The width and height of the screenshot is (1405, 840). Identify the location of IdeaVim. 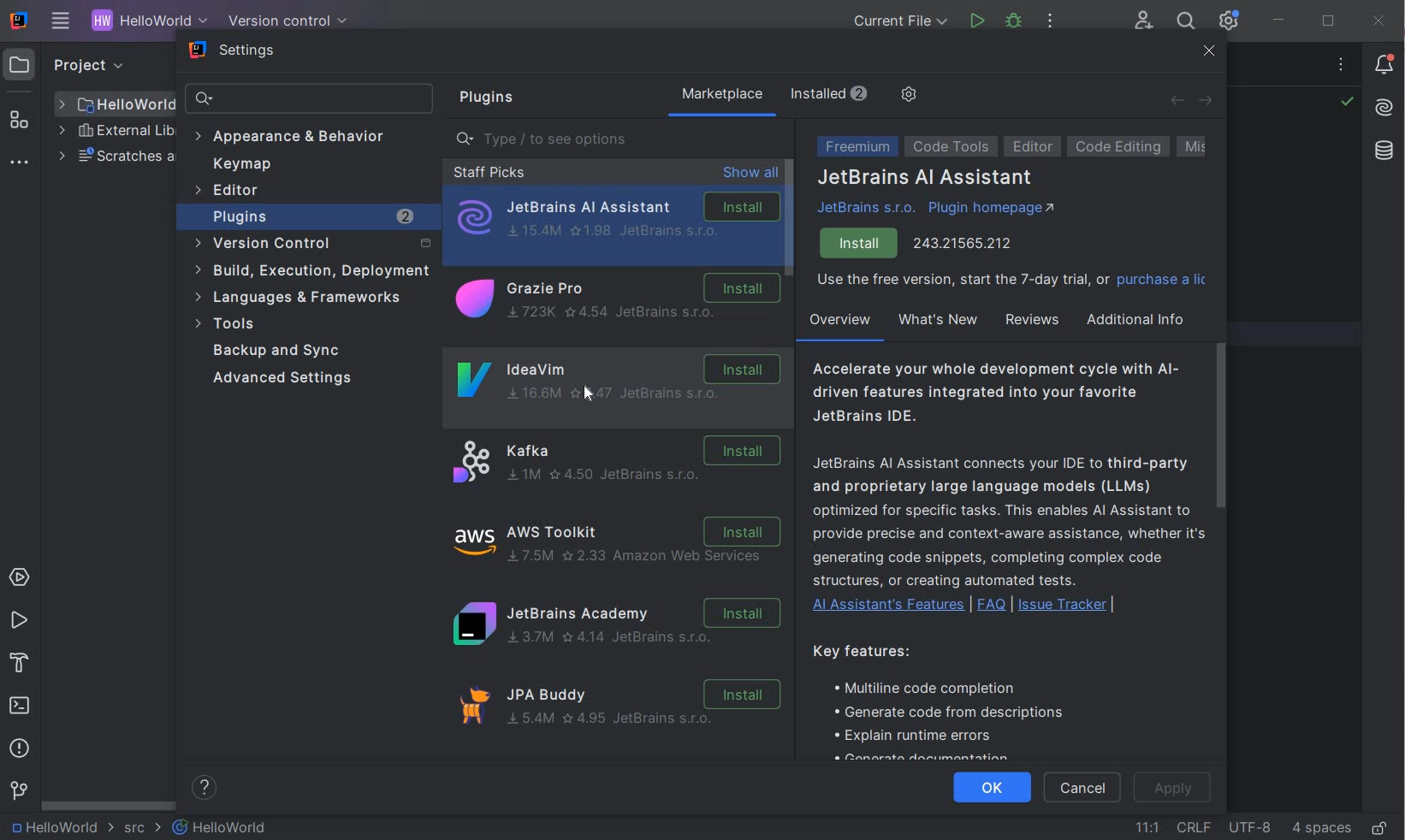
(614, 365).